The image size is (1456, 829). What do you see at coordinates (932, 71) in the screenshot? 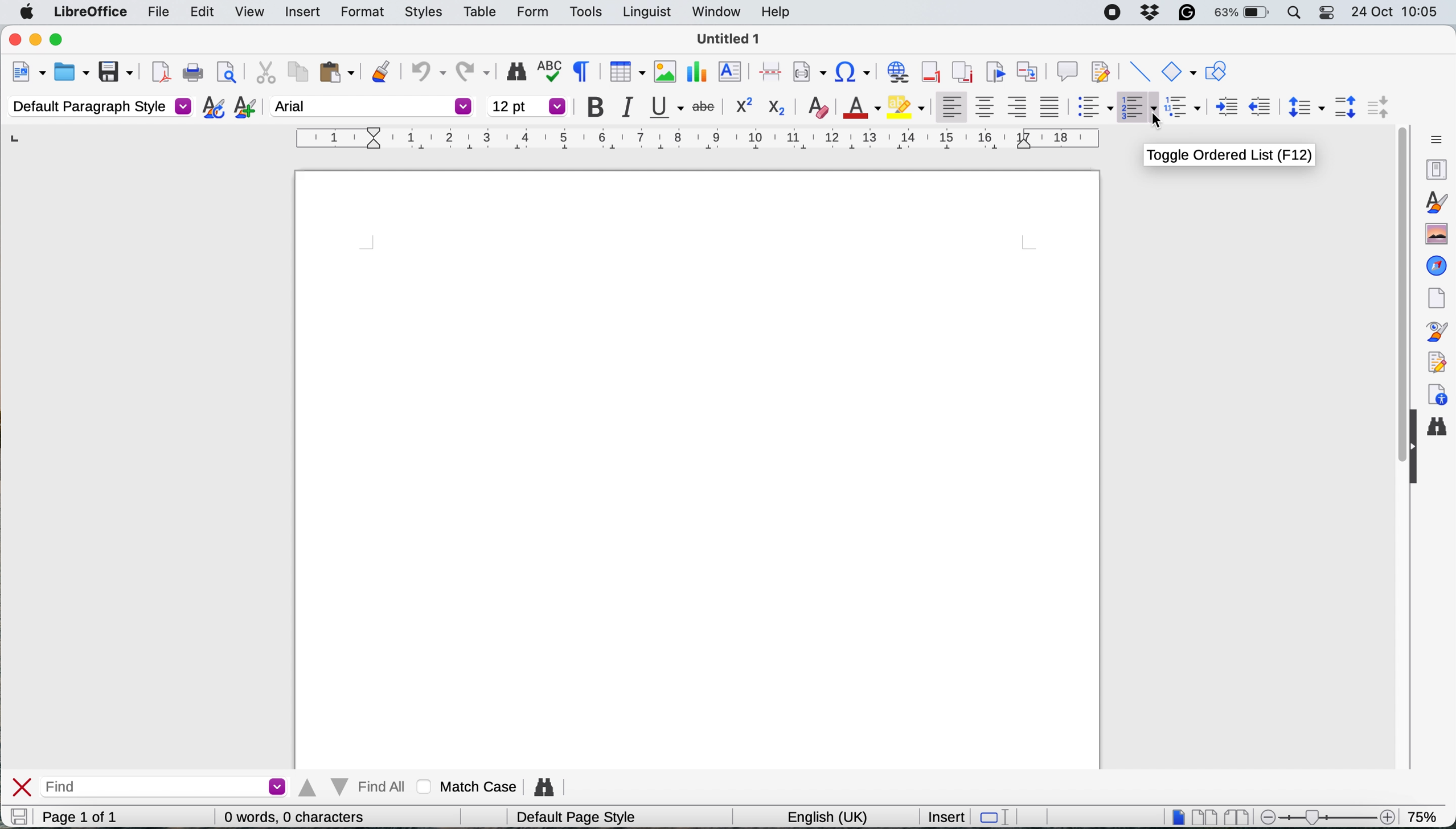
I see `insert footer` at bounding box center [932, 71].